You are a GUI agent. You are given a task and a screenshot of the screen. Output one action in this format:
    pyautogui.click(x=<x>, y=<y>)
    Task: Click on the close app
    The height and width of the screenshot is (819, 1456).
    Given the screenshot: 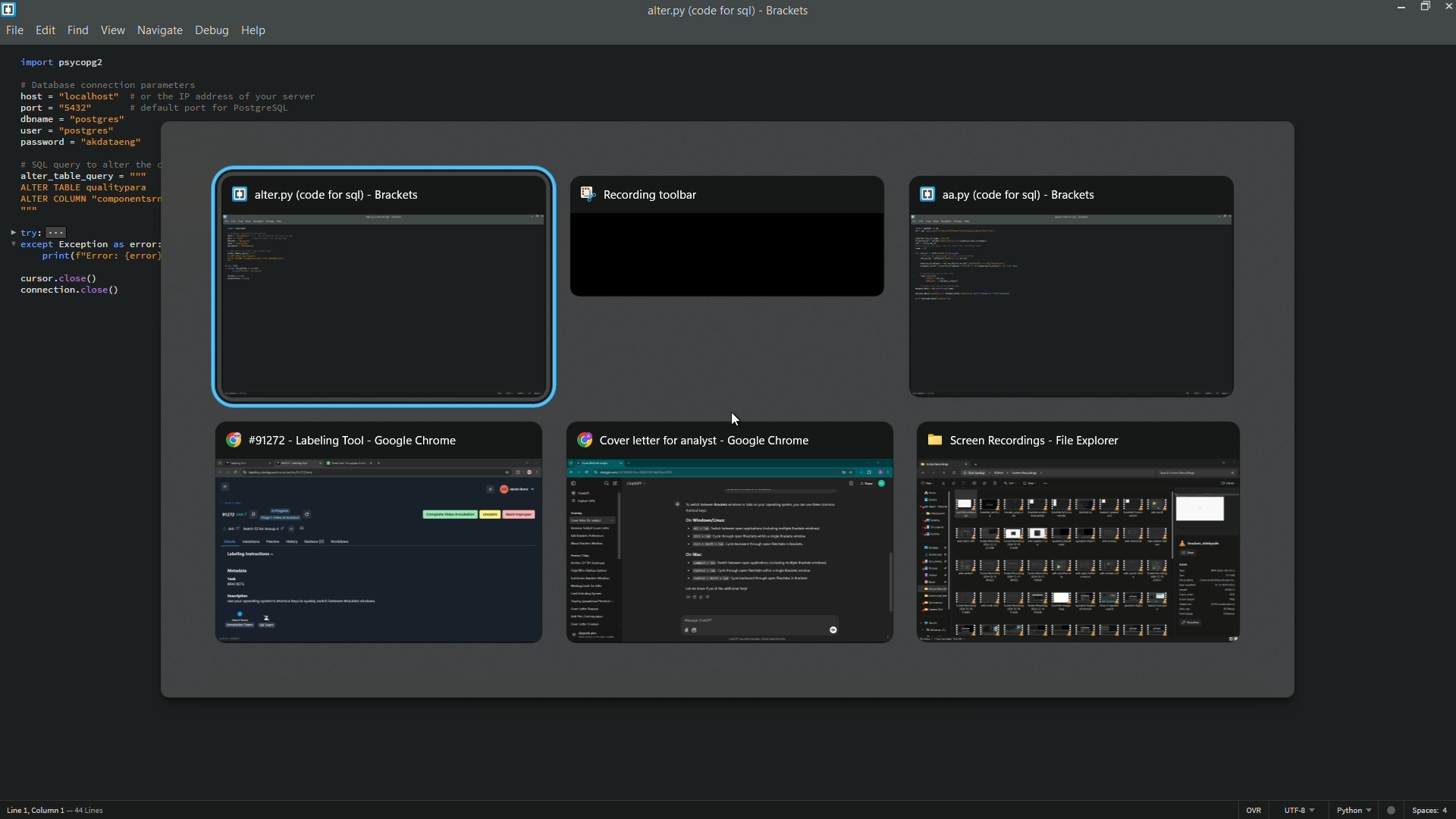 What is the action you would take?
    pyautogui.click(x=1447, y=8)
    